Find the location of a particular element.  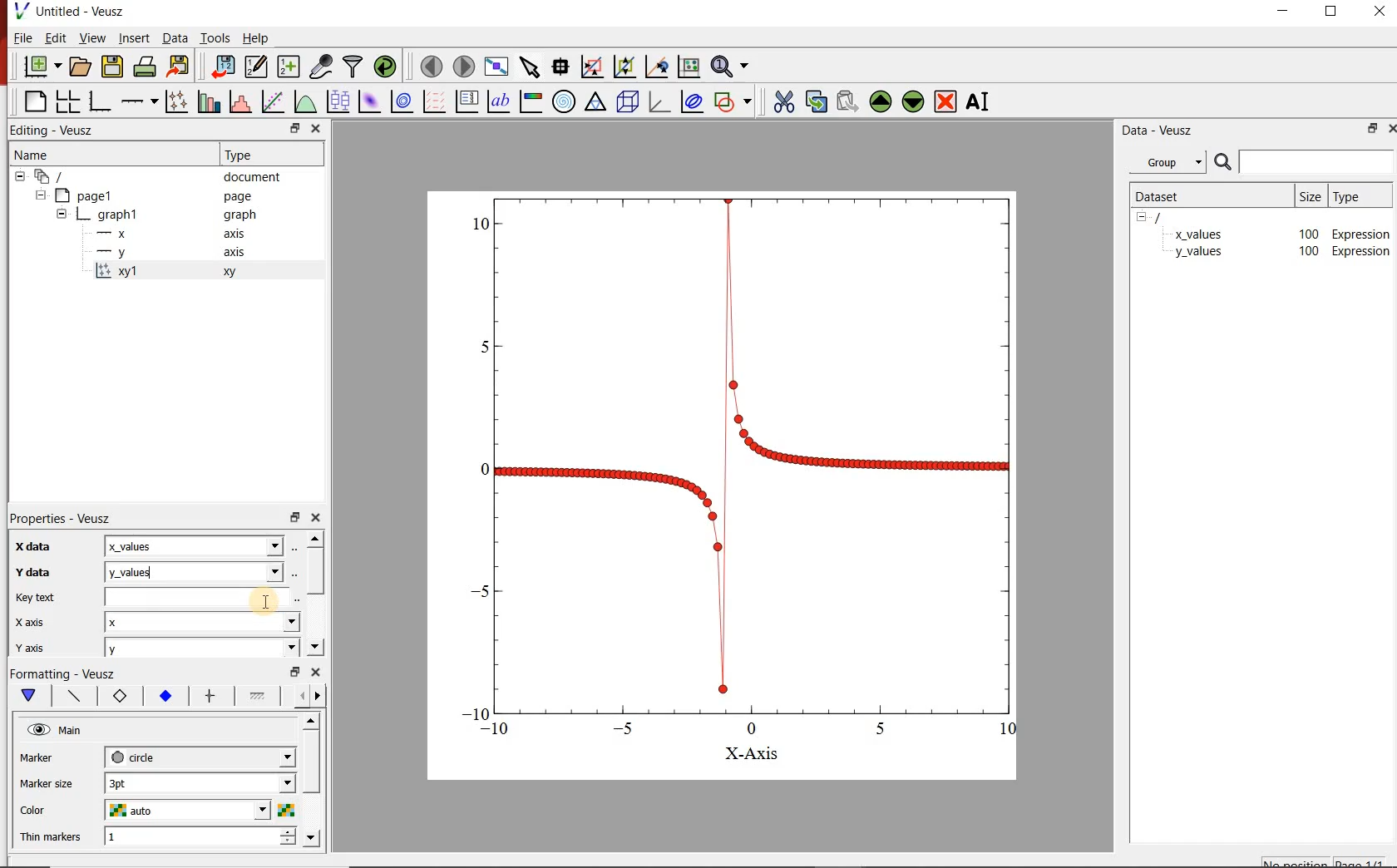

view is located at coordinates (93, 37).